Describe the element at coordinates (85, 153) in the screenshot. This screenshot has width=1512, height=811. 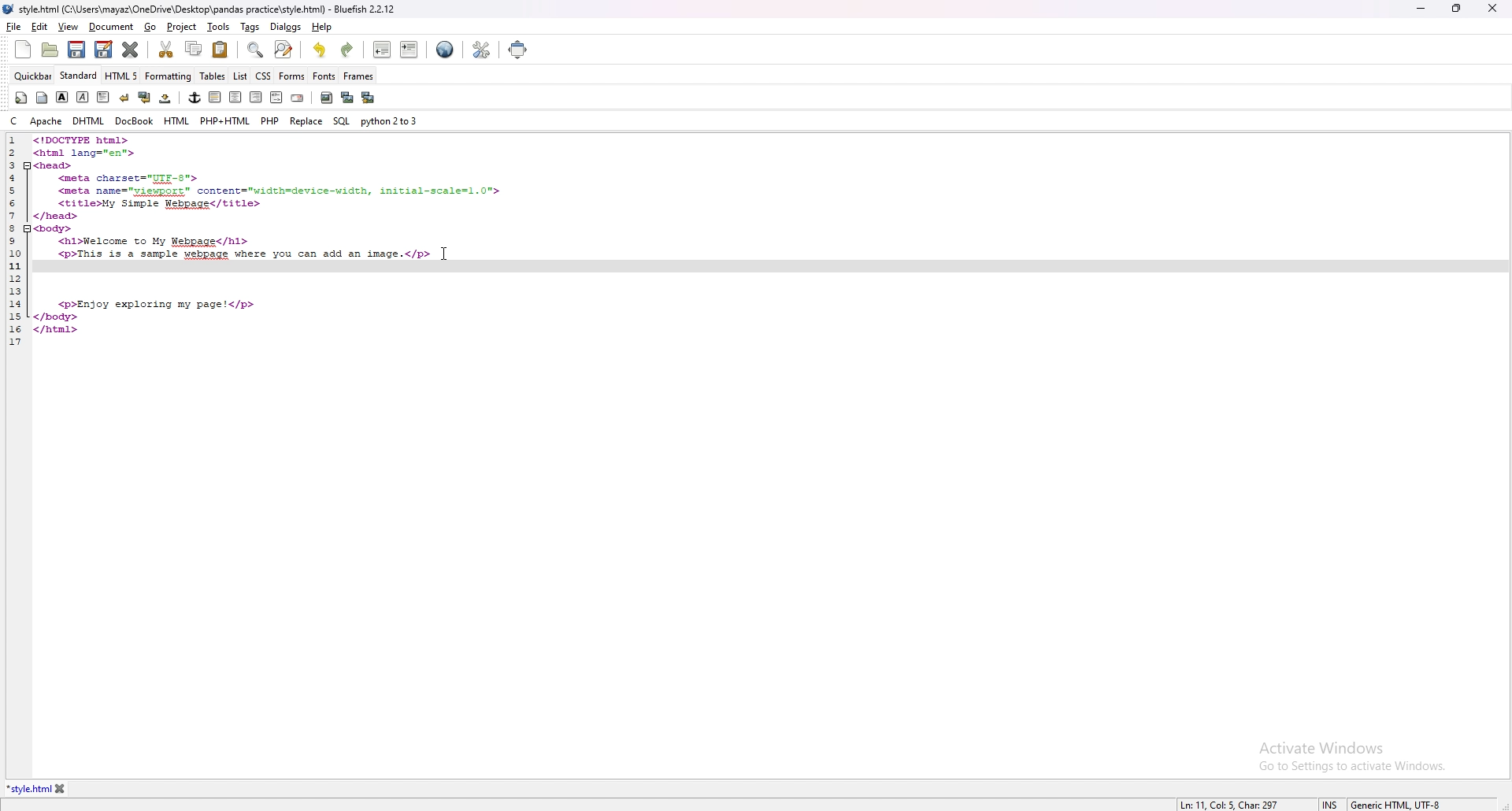
I see `<html lang="en">` at that location.